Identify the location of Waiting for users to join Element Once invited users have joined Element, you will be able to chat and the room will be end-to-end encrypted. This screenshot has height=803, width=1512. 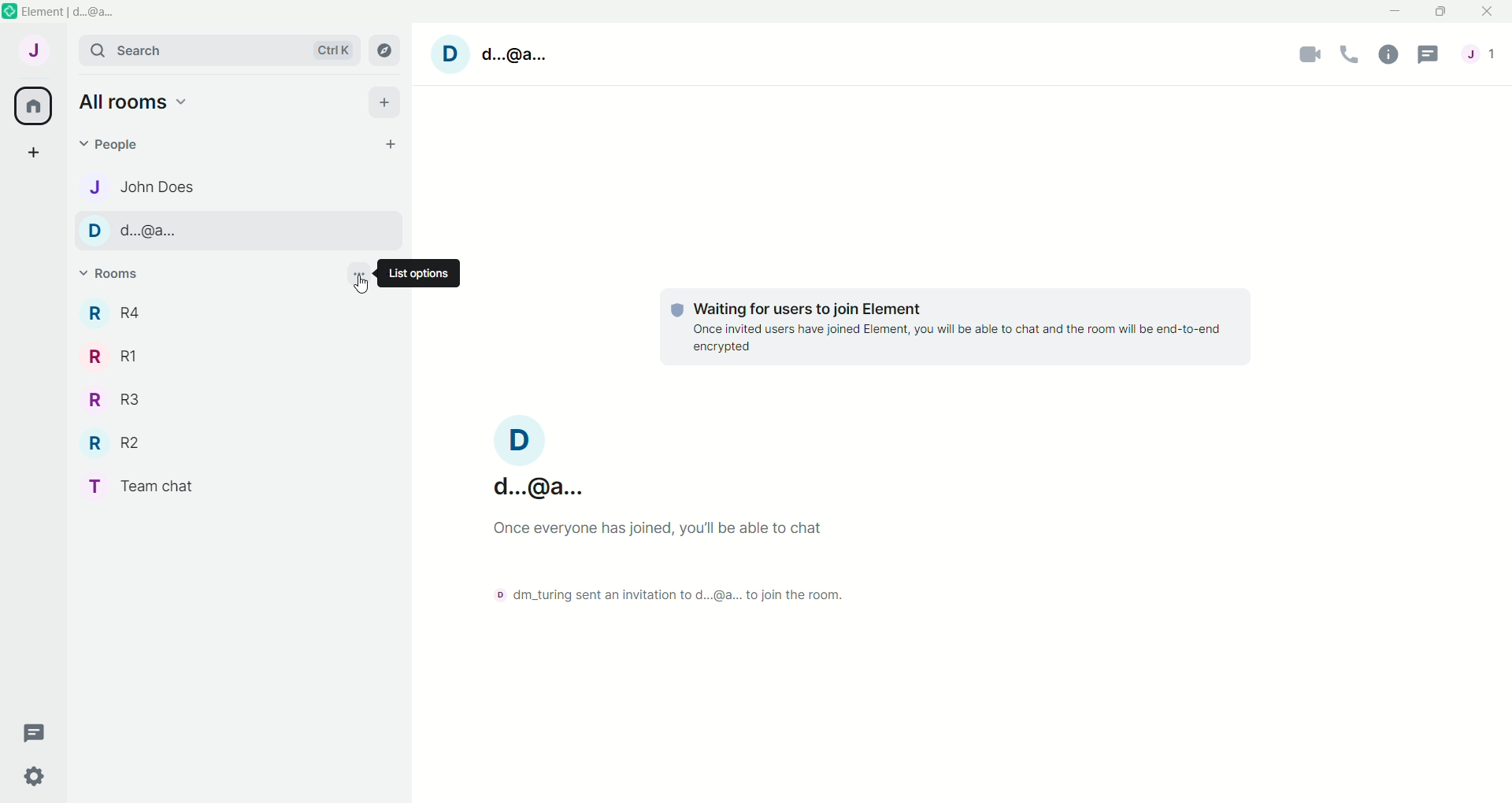
(954, 327).